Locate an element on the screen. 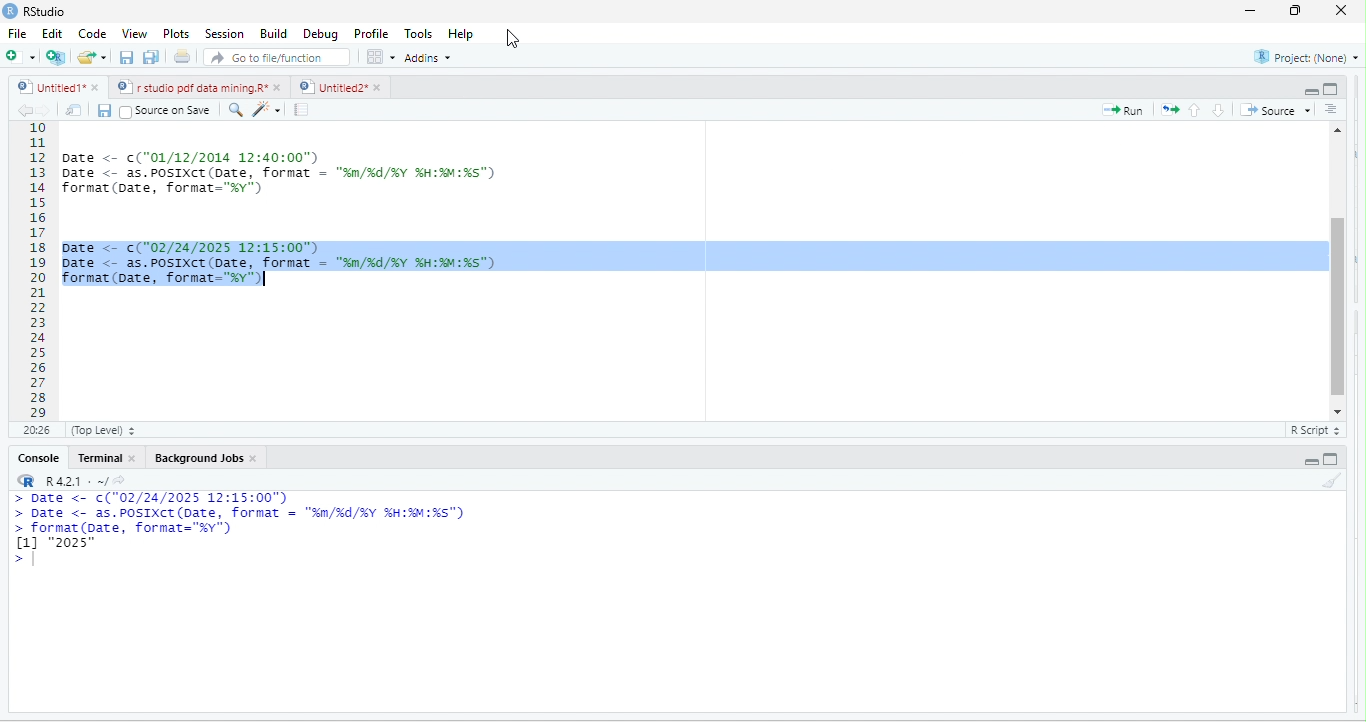 This screenshot has width=1366, height=722.  project: (None)  is located at coordinates (1303, 56).